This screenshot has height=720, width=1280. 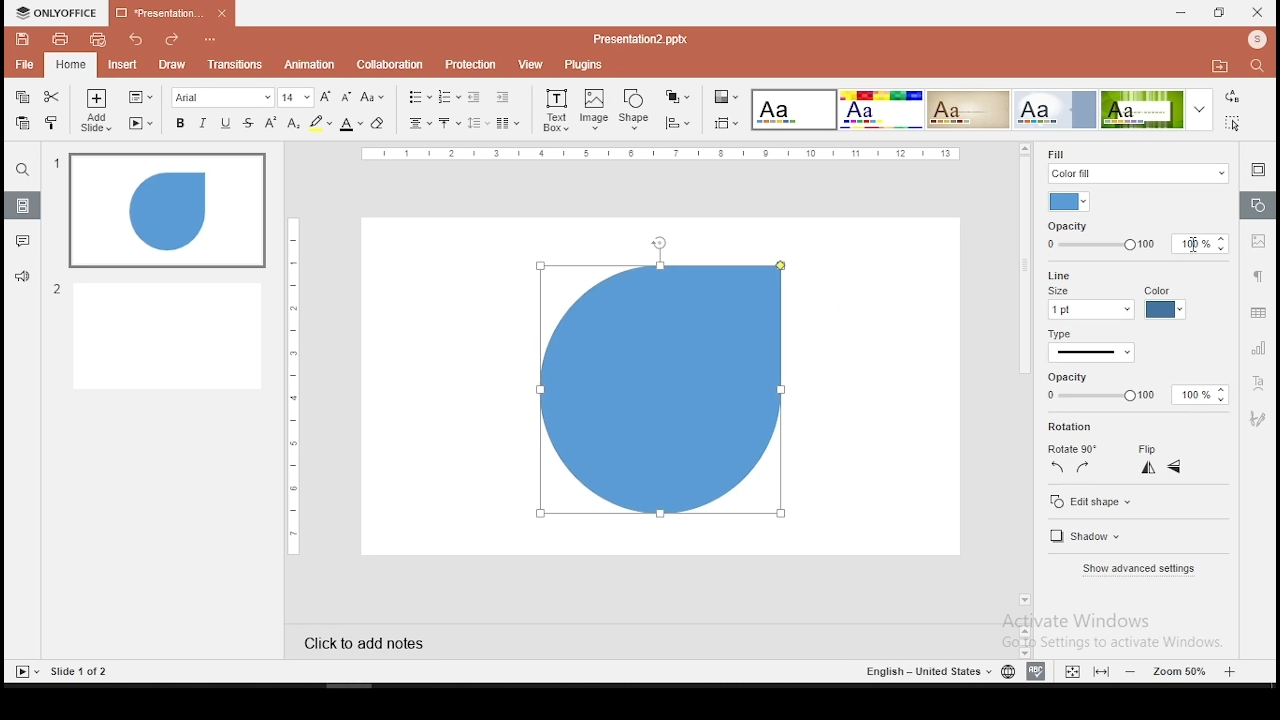 I want to click on presentation, so click(x=638, y=39).